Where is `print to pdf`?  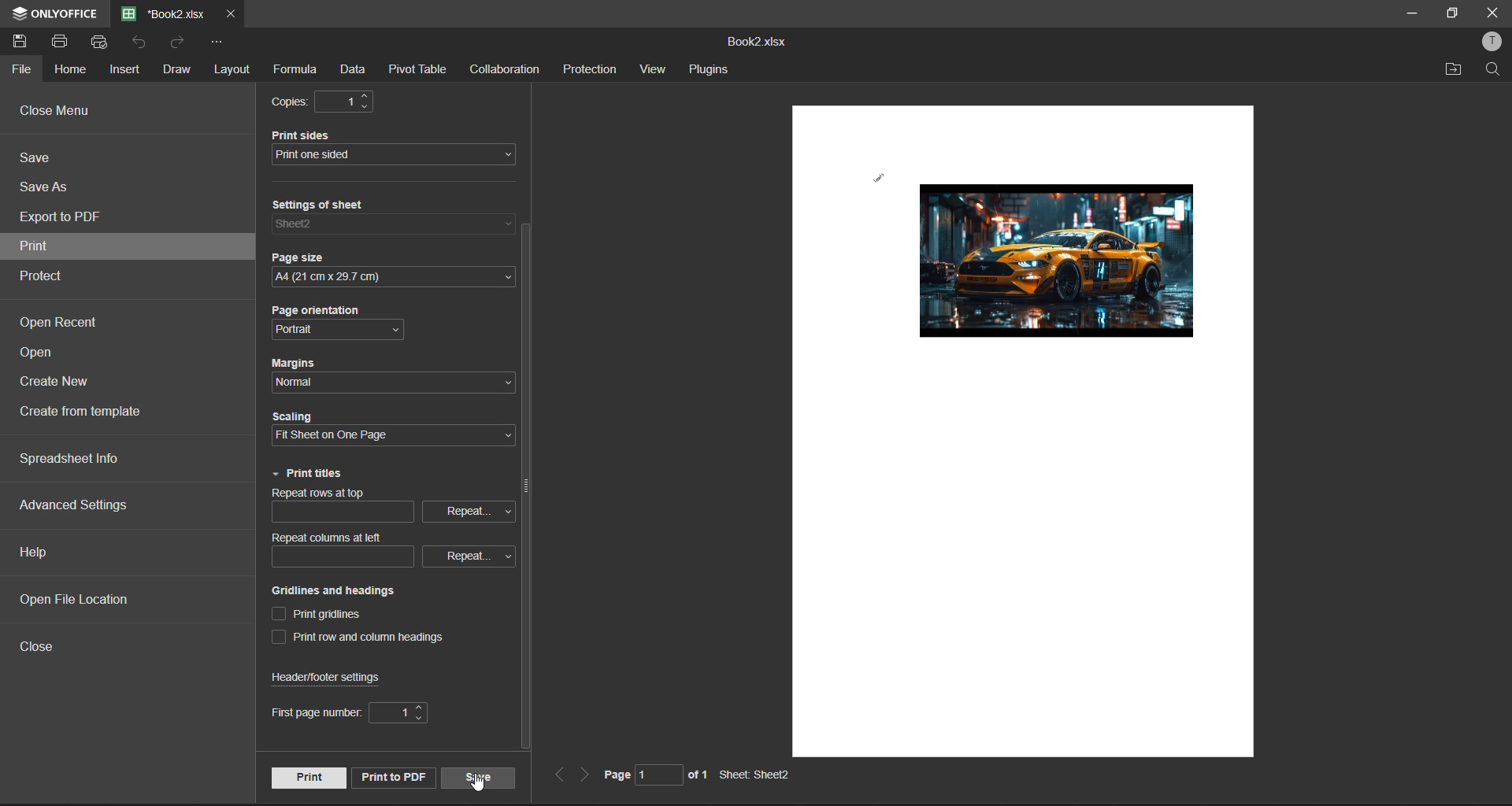 print to pdf is located at coordinates (391, 775).